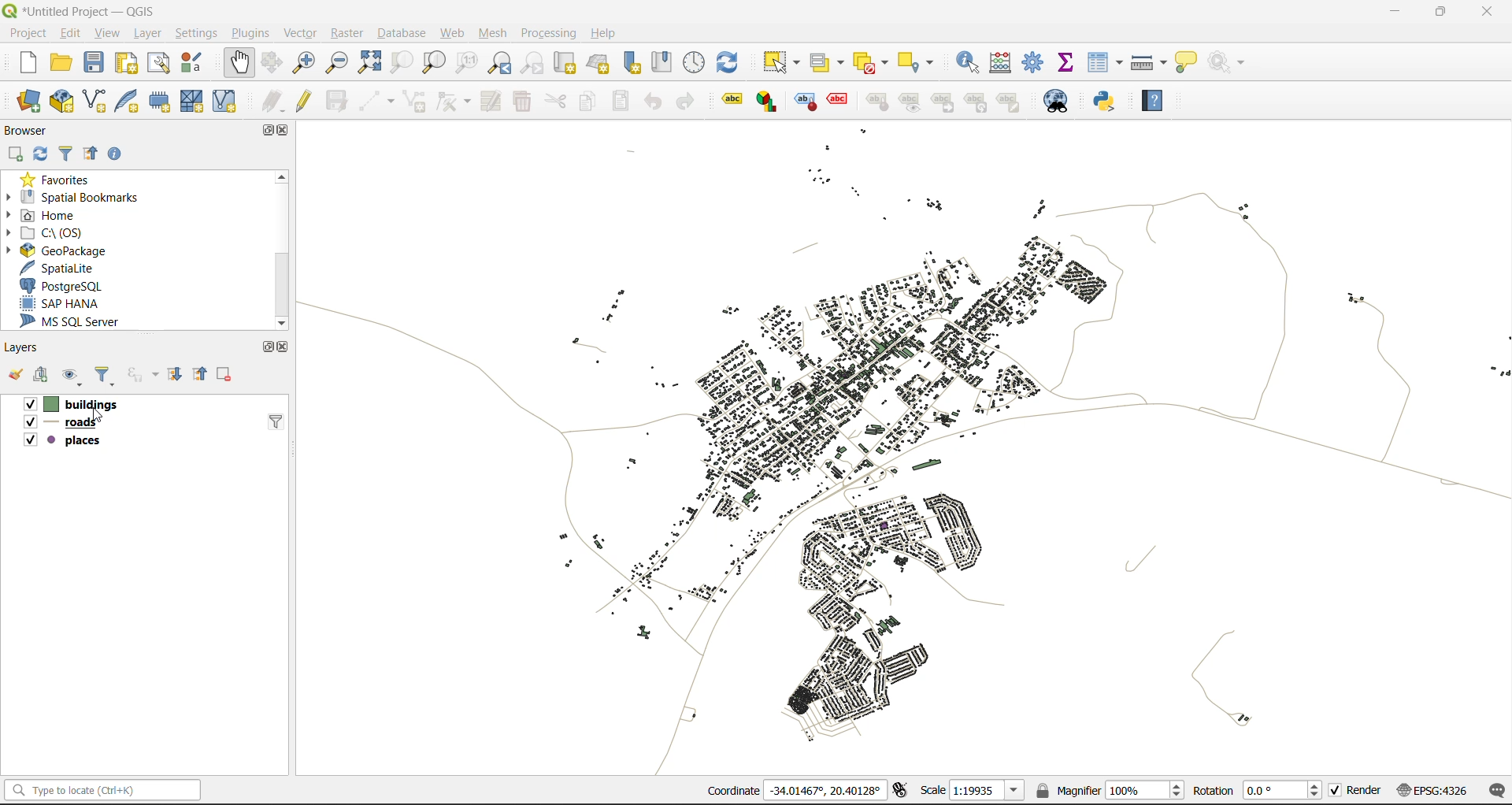 The height and width of the screenshot is (805, 1512). I want to click on pin/unpin labels and diagrams, so click(875, 102).